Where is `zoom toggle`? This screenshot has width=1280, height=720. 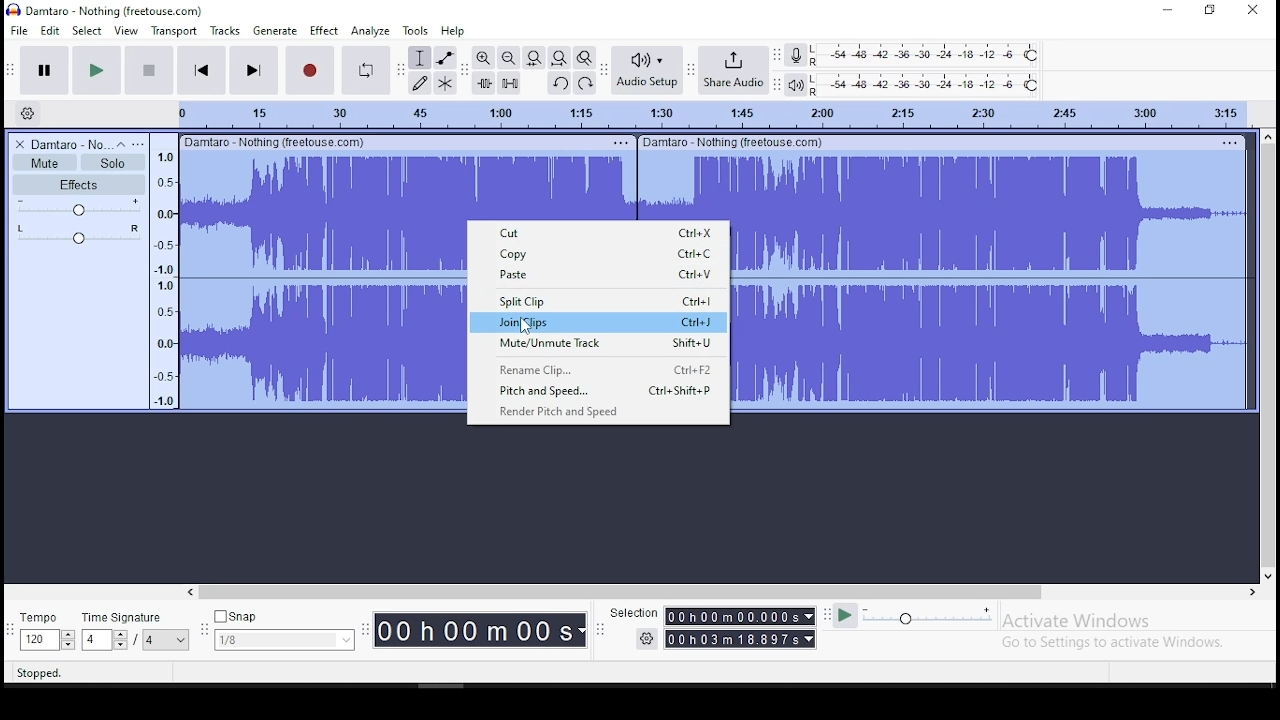 zoom toggle is located at coordinates (584, 58).